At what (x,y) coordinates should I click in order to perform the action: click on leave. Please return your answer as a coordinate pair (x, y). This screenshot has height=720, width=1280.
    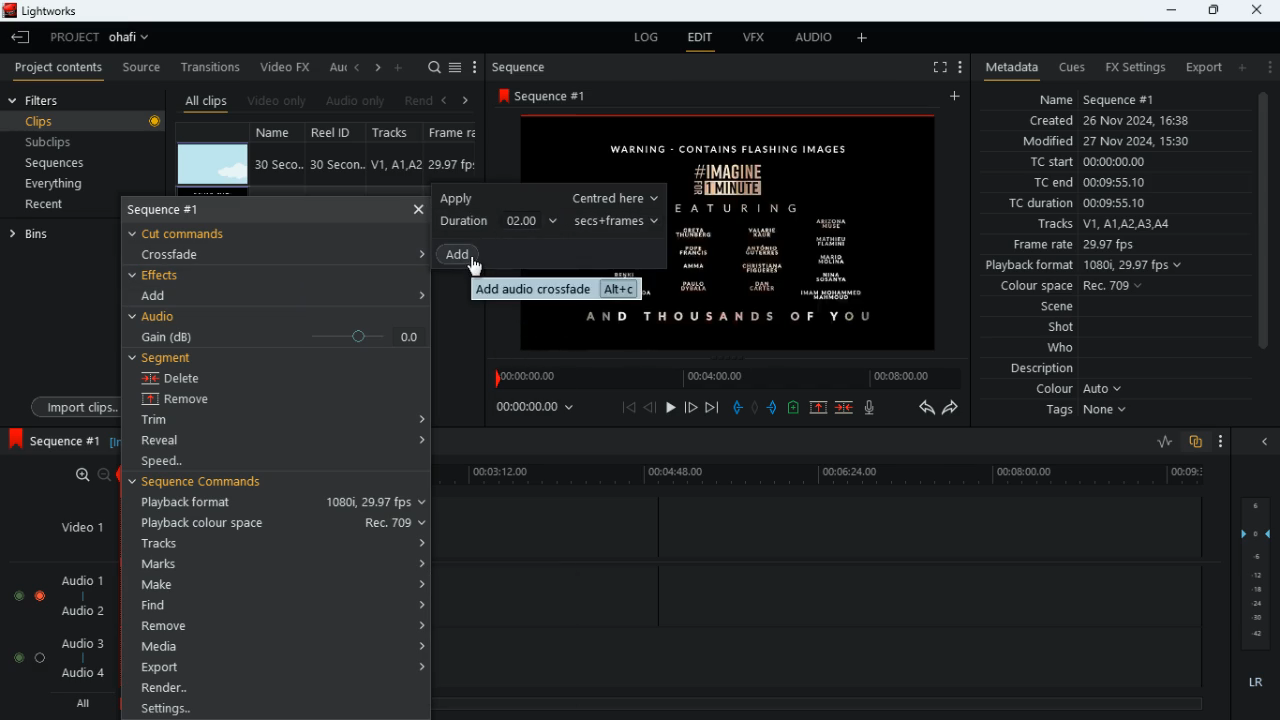
    Looking at the image, I should click on (22, 37).